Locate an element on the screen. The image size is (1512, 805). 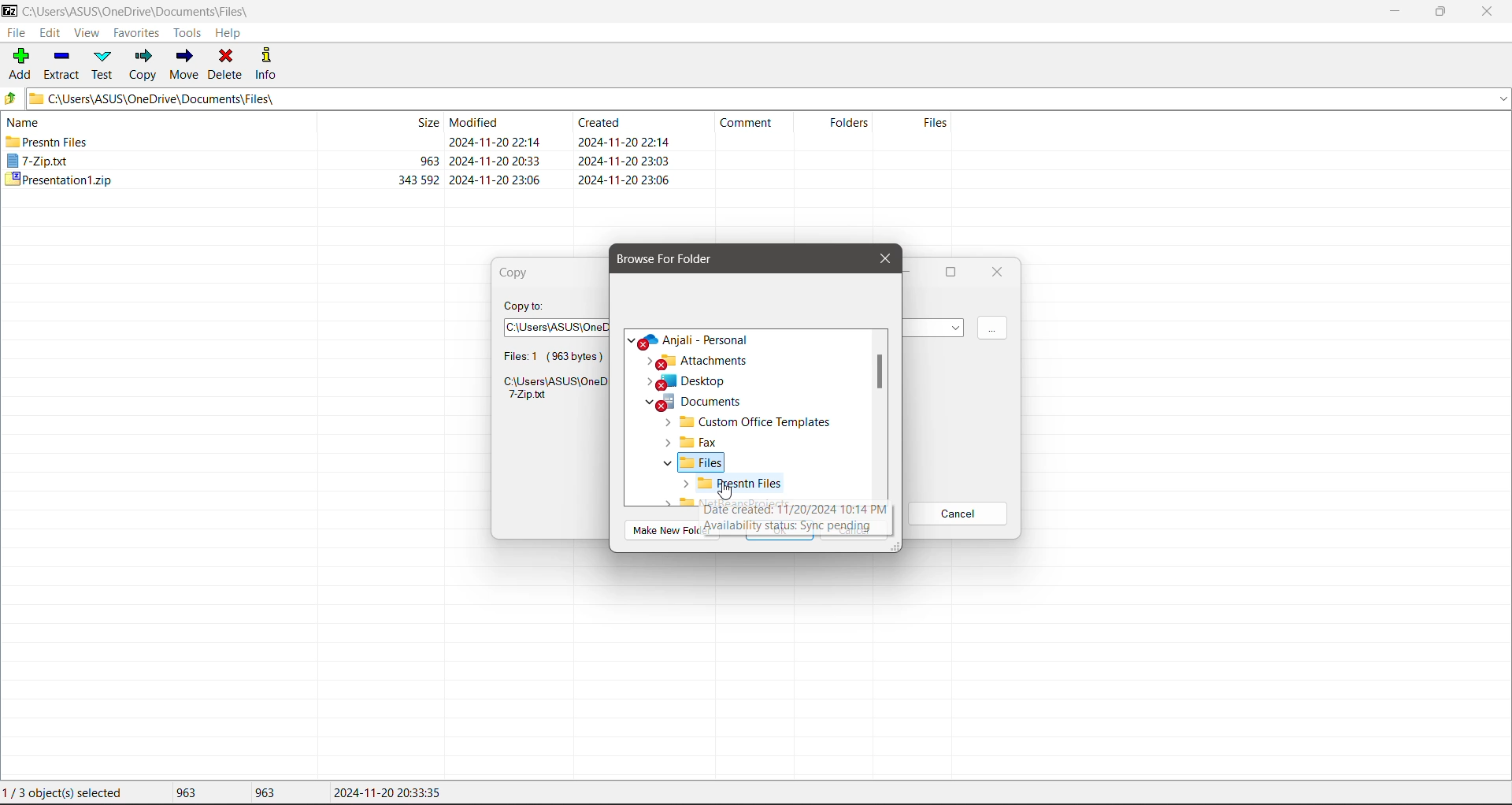
Title Bar color changed on Click is located at coordinates (547, 10).